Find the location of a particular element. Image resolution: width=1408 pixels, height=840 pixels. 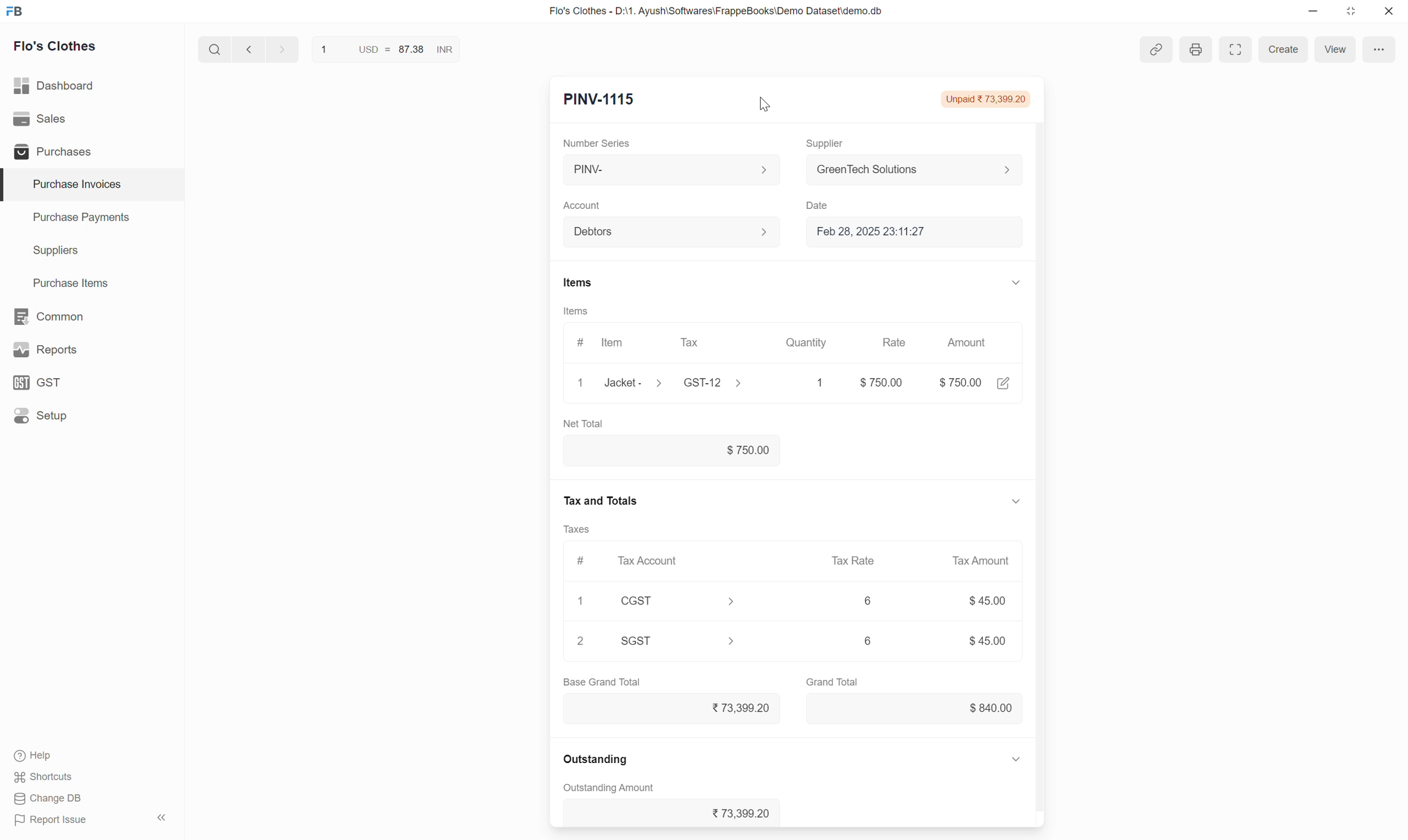

View is located at coordinates (1335, 49).